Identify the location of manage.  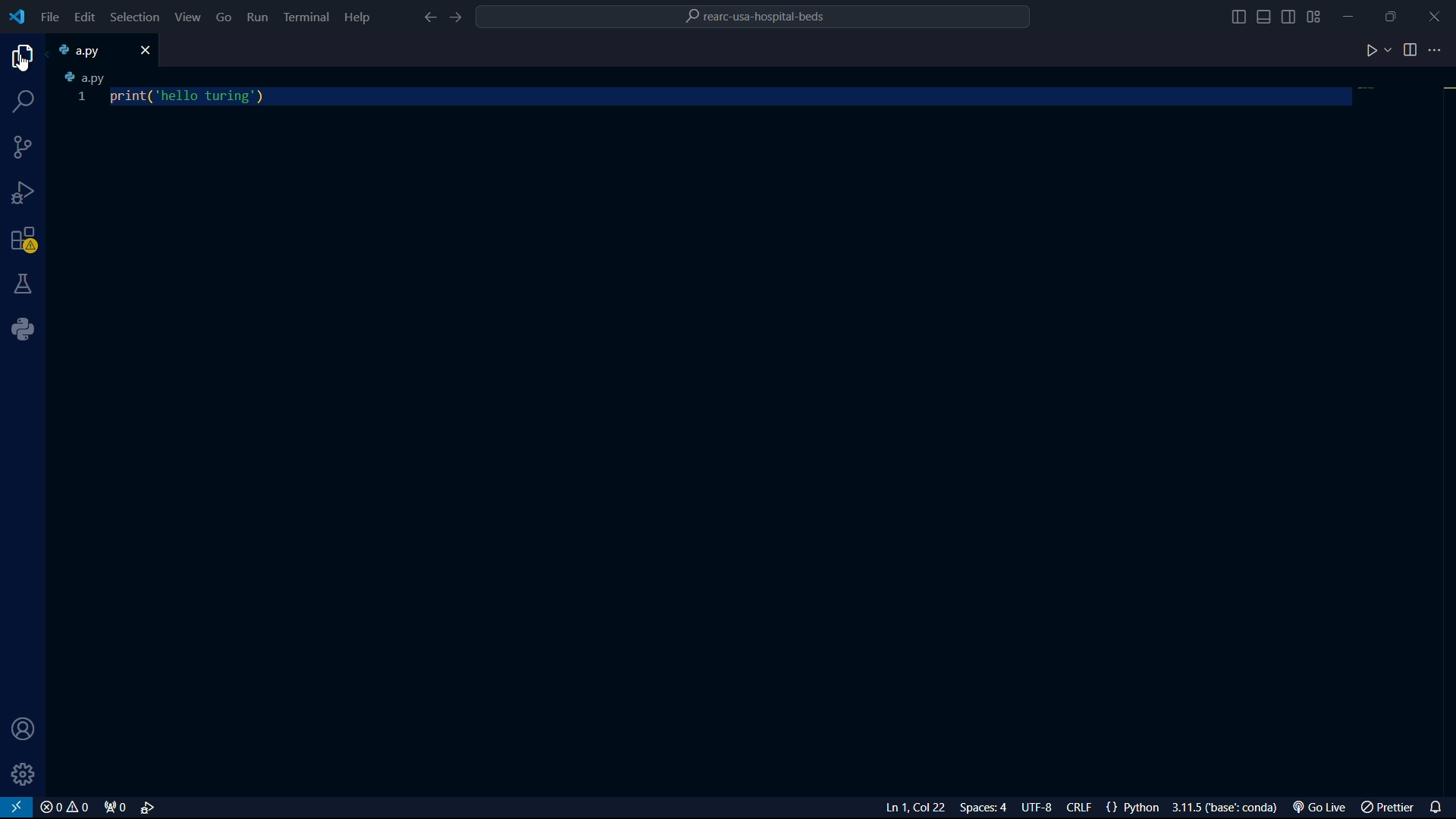
(25, 774).